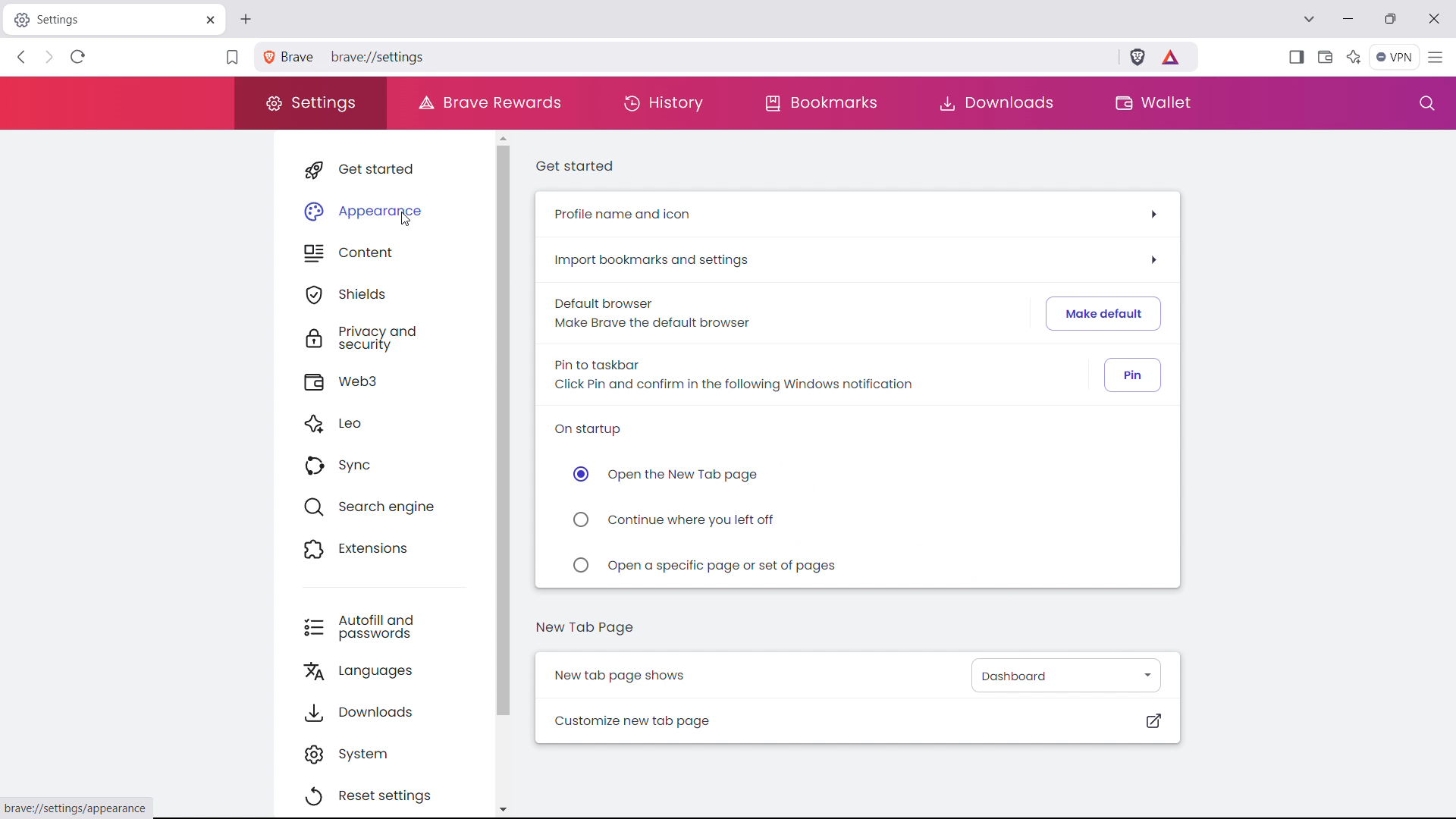  Describe the element at coordinates (1392, 19) in the screenshot. I see `maximize` at that location.